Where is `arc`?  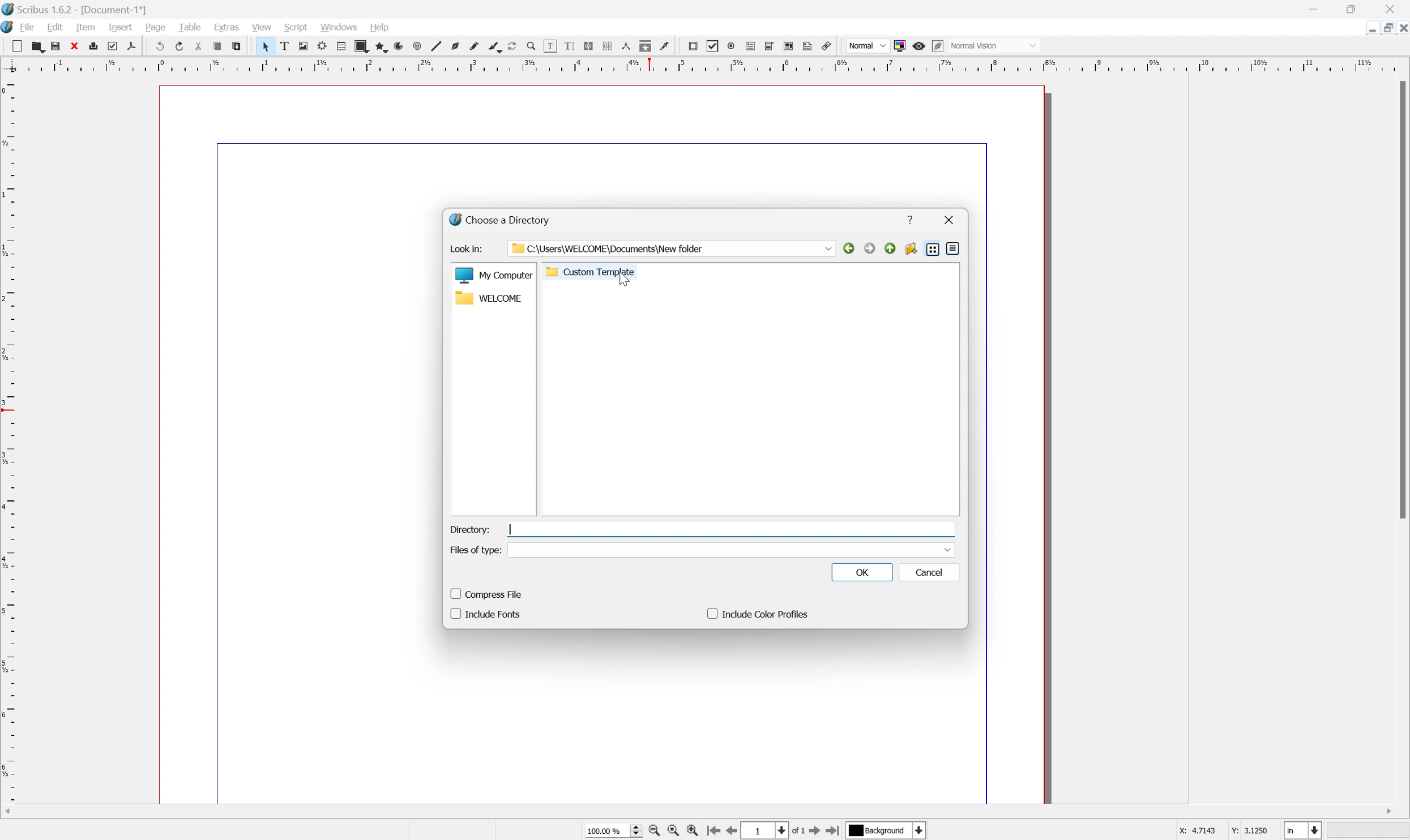
arc is located at coordinates (395, 45).